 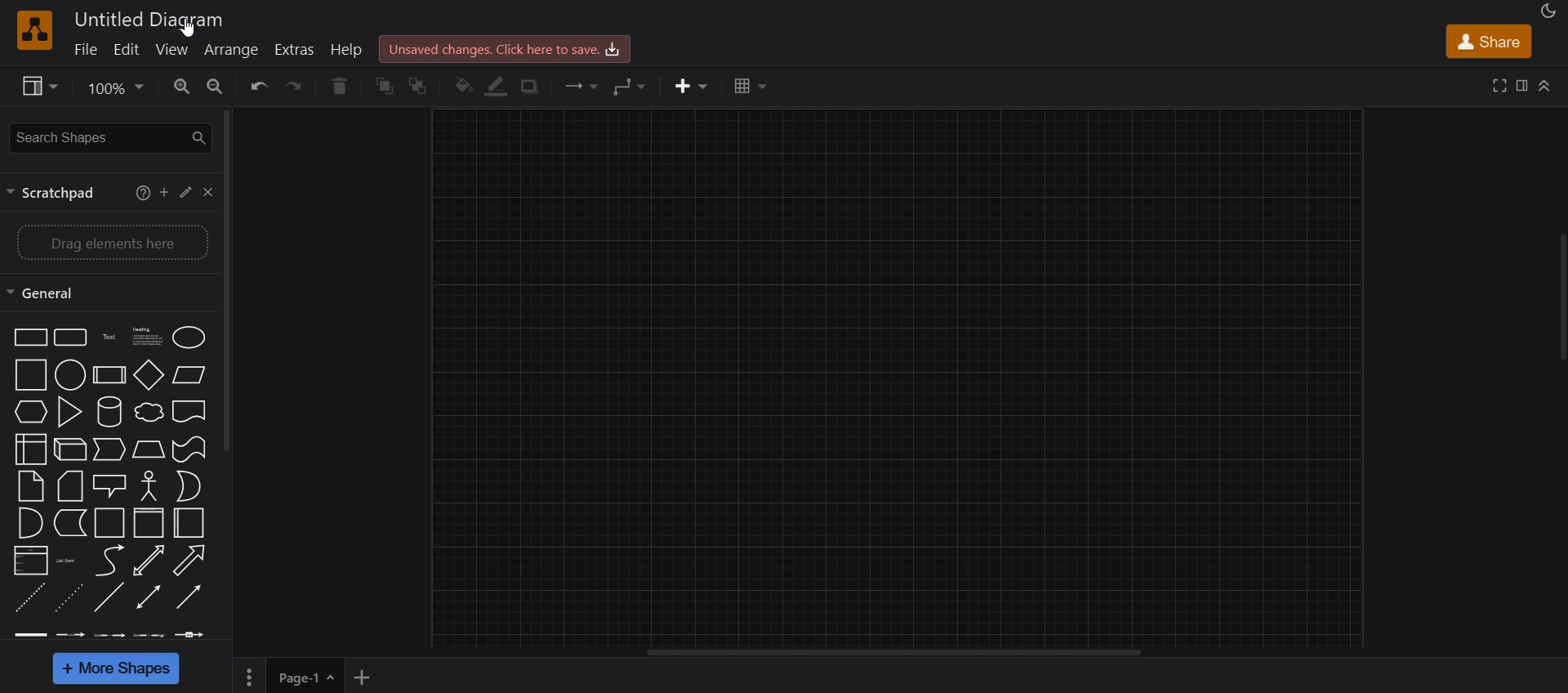 I want to click on page 1, so click(x=305, y=676).